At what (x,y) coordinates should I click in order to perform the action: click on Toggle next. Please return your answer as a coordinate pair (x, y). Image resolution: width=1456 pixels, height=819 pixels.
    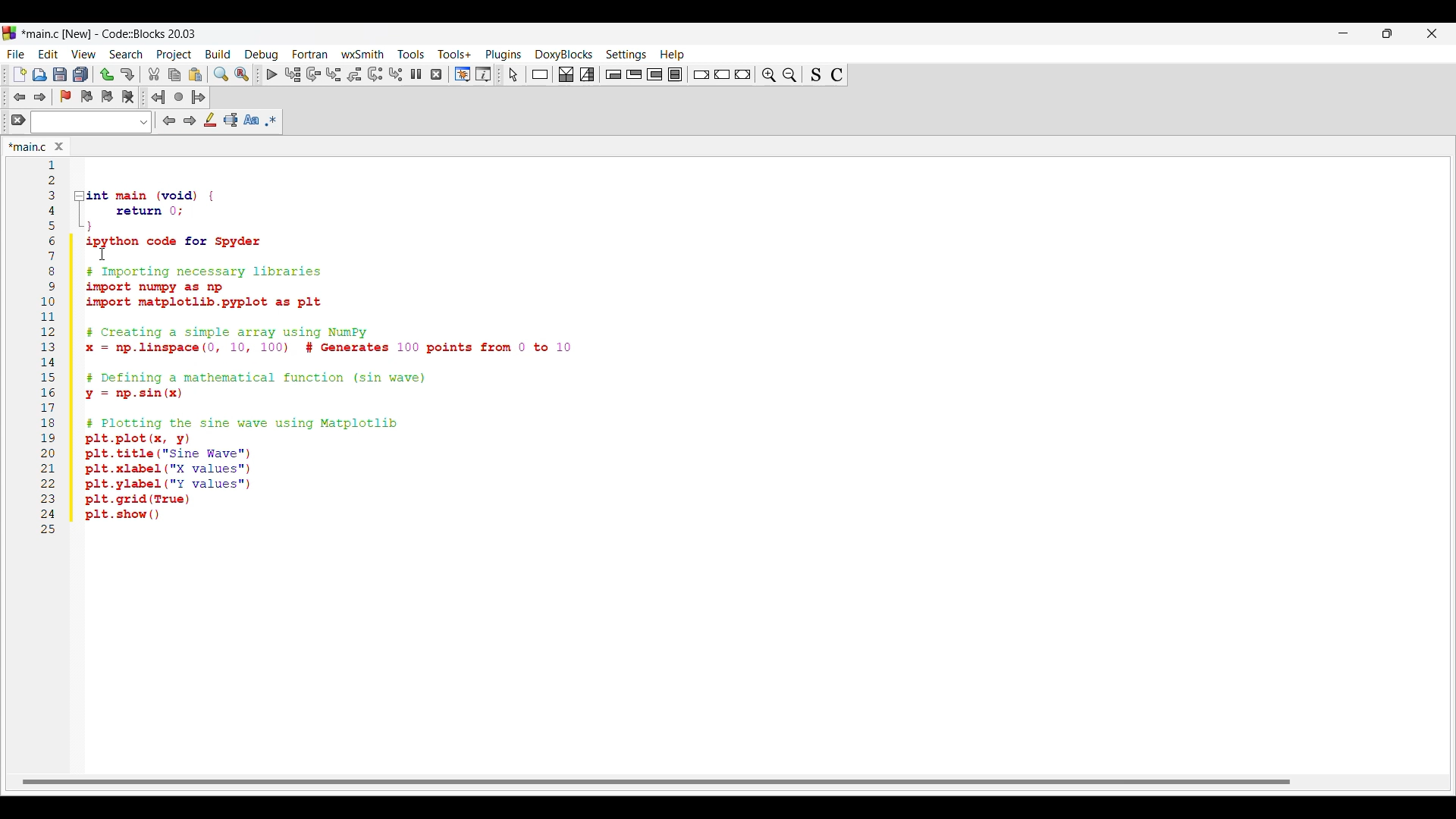
    Looking at the image, I should click on (107, 97).